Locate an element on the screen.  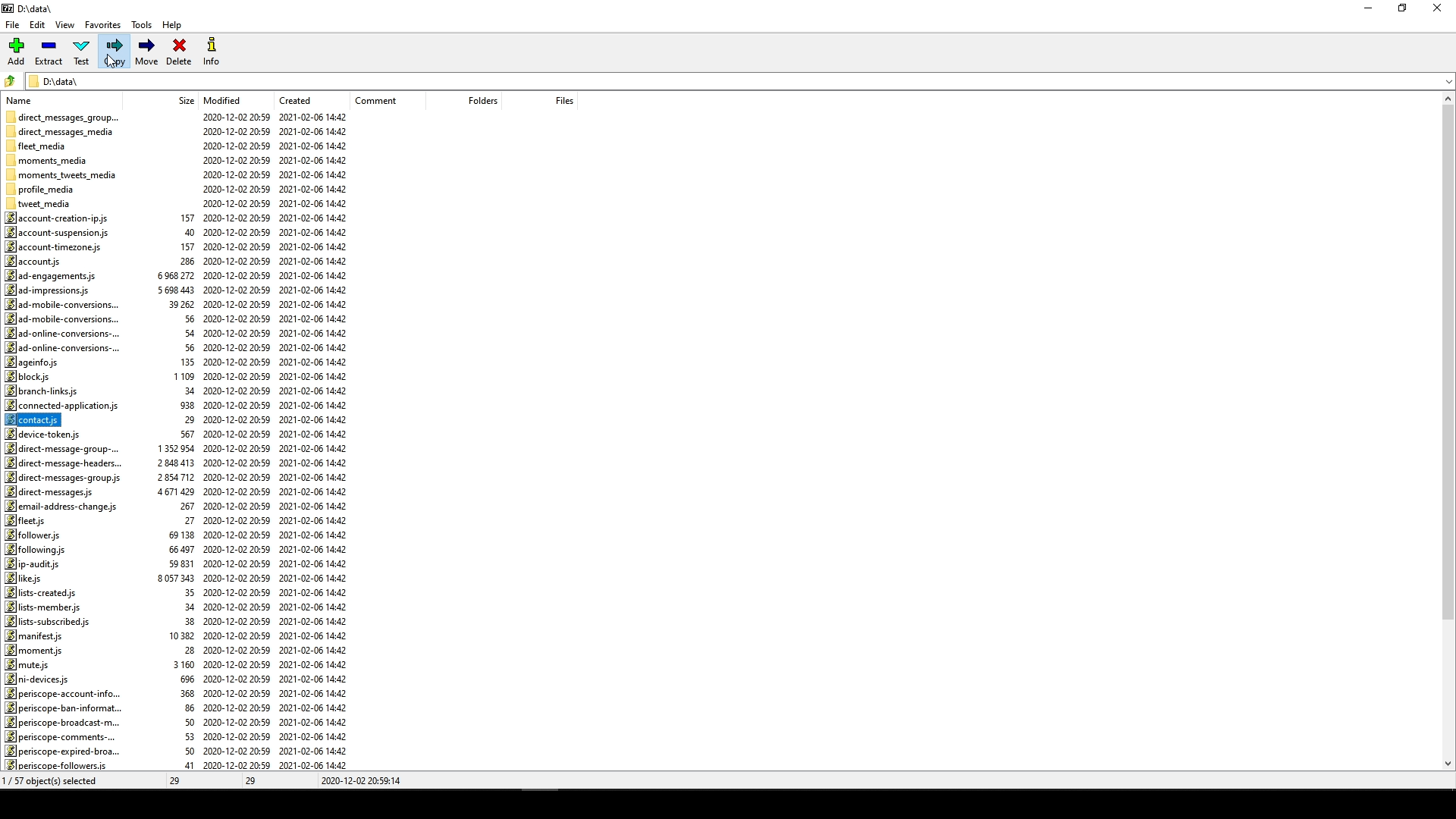
Info is located at coordinates (211, 52).